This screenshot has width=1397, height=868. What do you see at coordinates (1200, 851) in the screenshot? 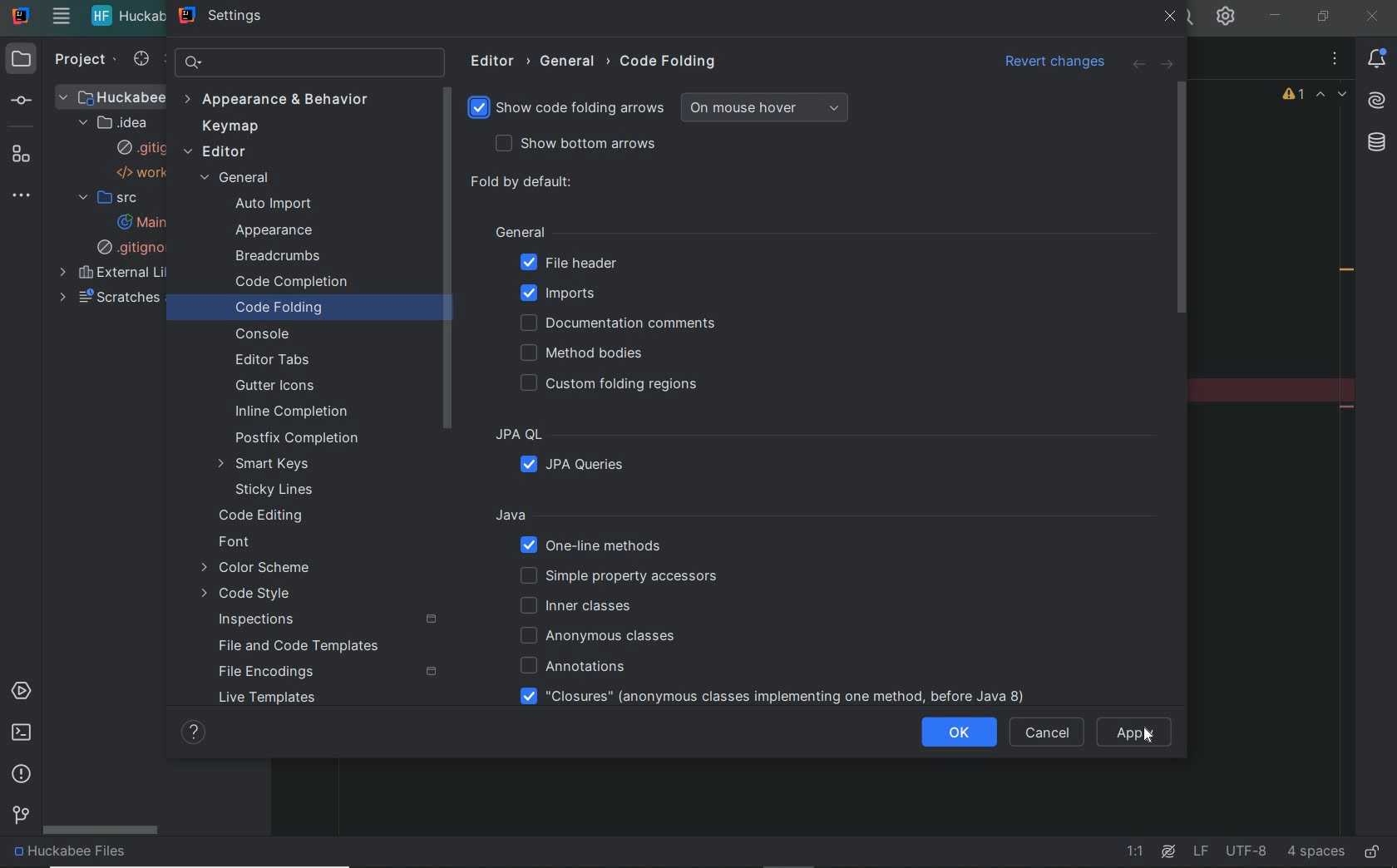
I see `line separator` at bounding box center [1200, 851].